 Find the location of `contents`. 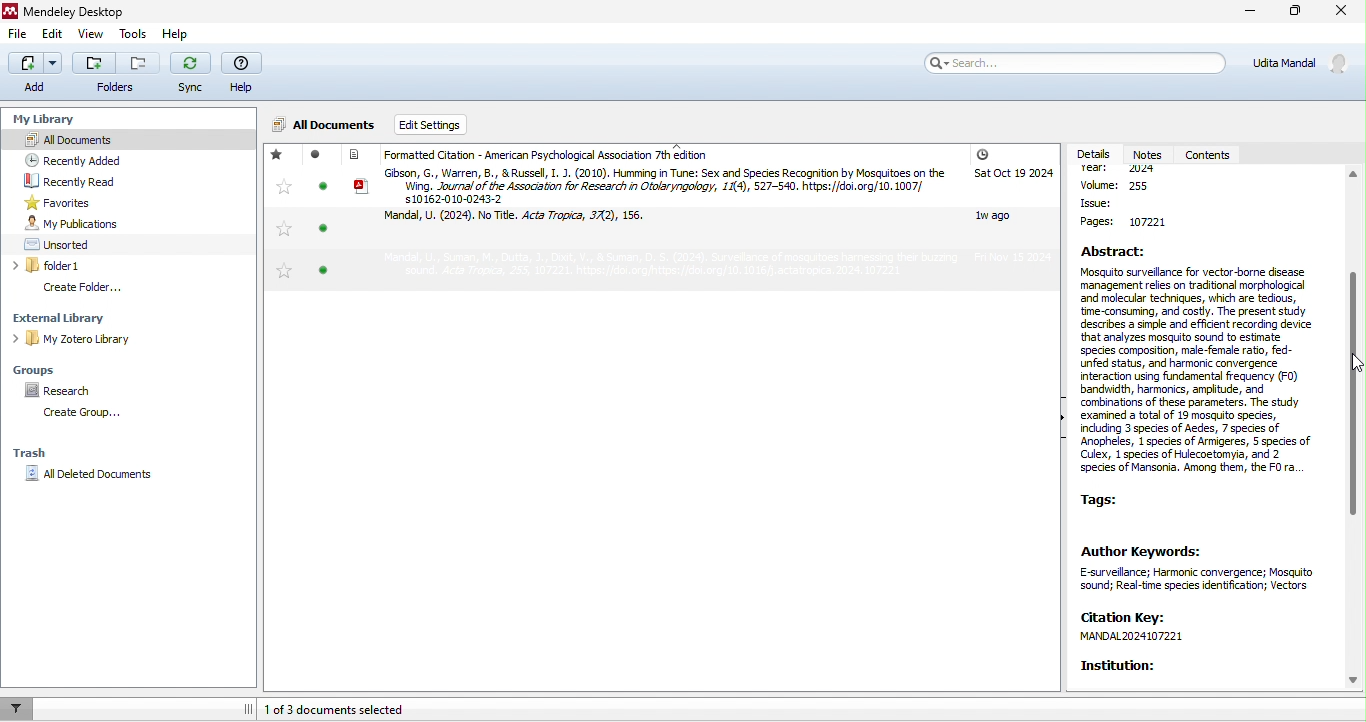

contents is located at coordinates (1210, 156).